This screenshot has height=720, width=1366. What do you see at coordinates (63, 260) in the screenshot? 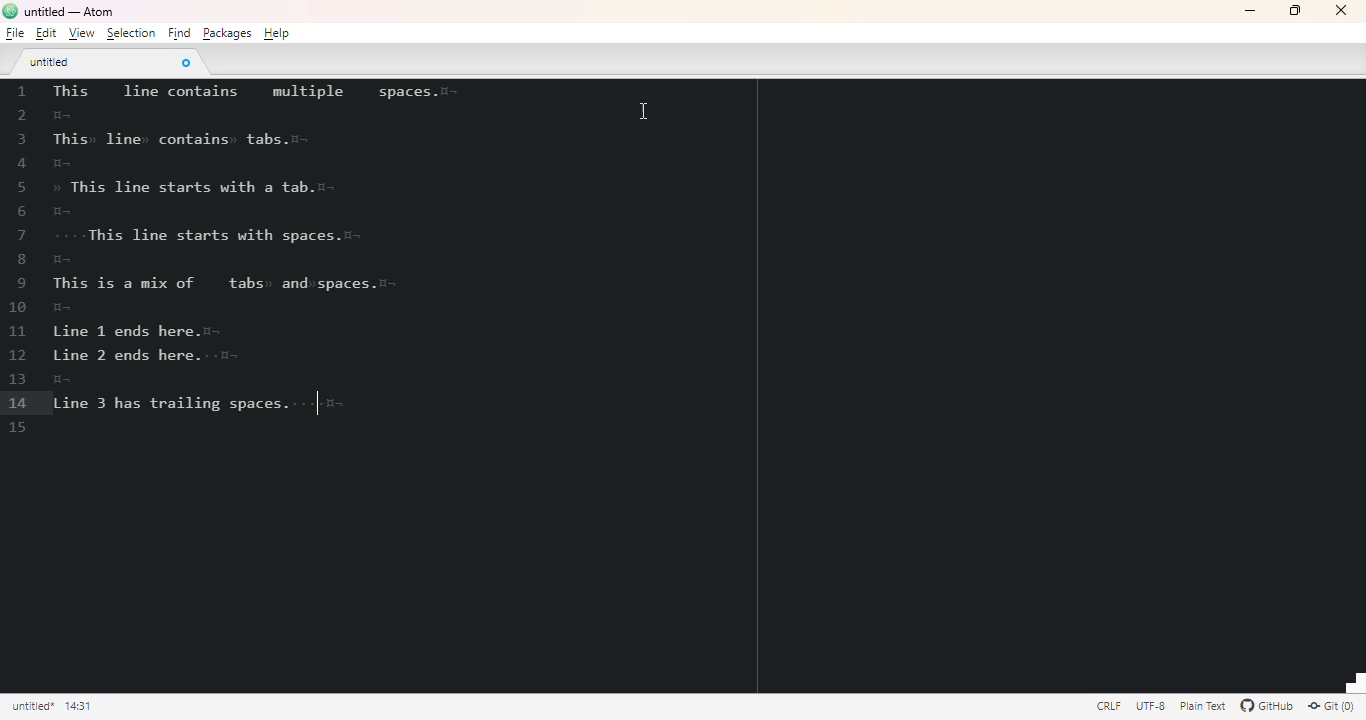
I see `invisible characters` at bounding box center [63, 260].